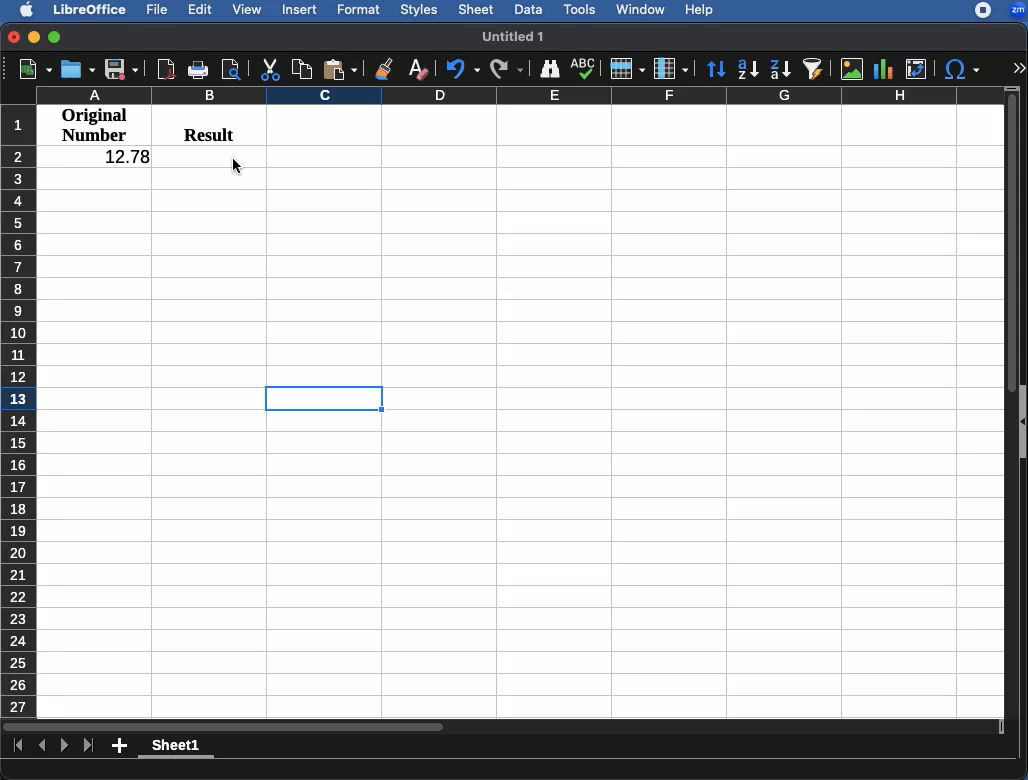 The height and width of the screenshot is (780, 1028). What do you see at coordinates (91, 10) in the screenshot?
I see `LibreOffice` at bounding box center [91, 10].